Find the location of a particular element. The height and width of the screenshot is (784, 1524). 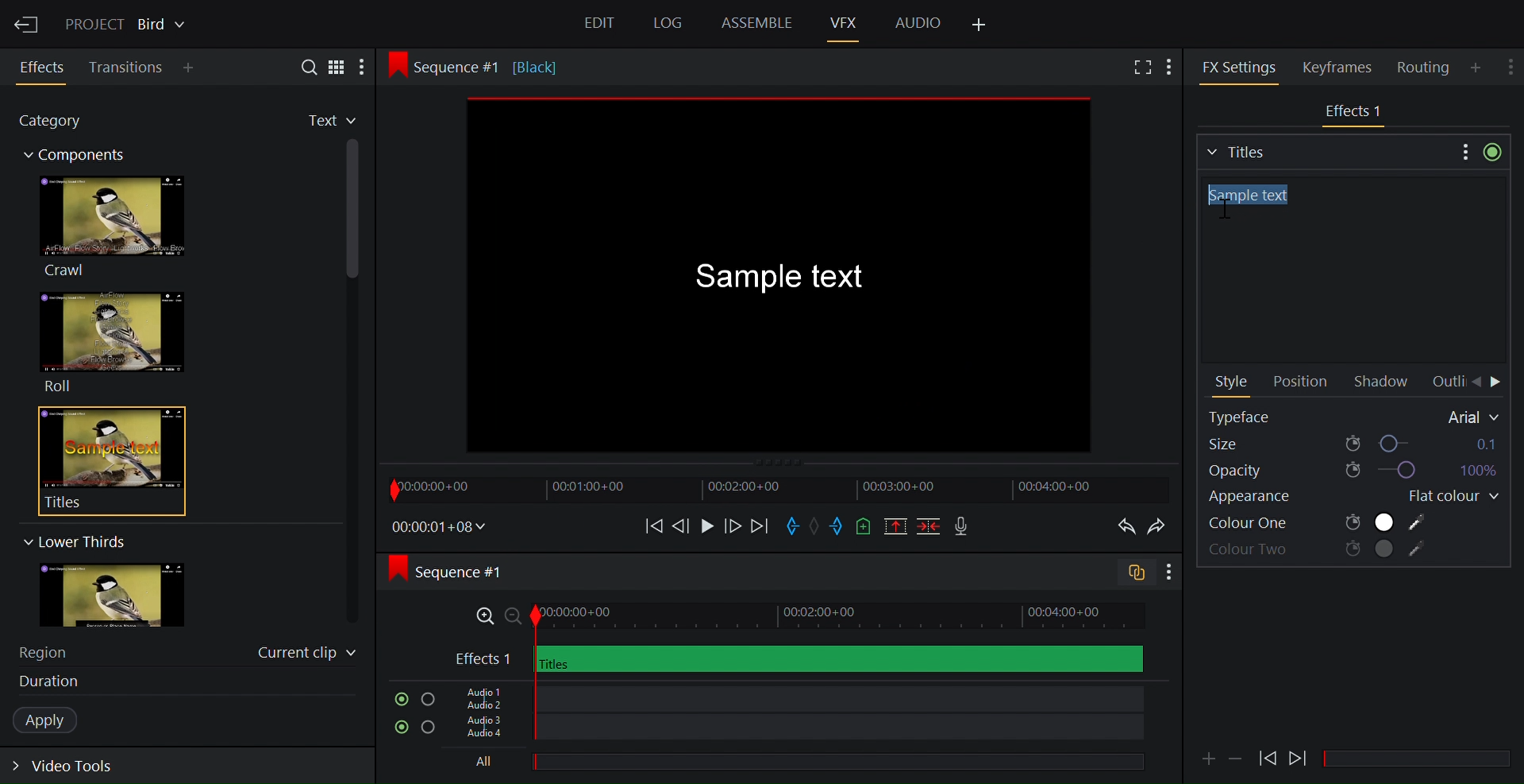

Mark out is located at coordinates (837, 527).